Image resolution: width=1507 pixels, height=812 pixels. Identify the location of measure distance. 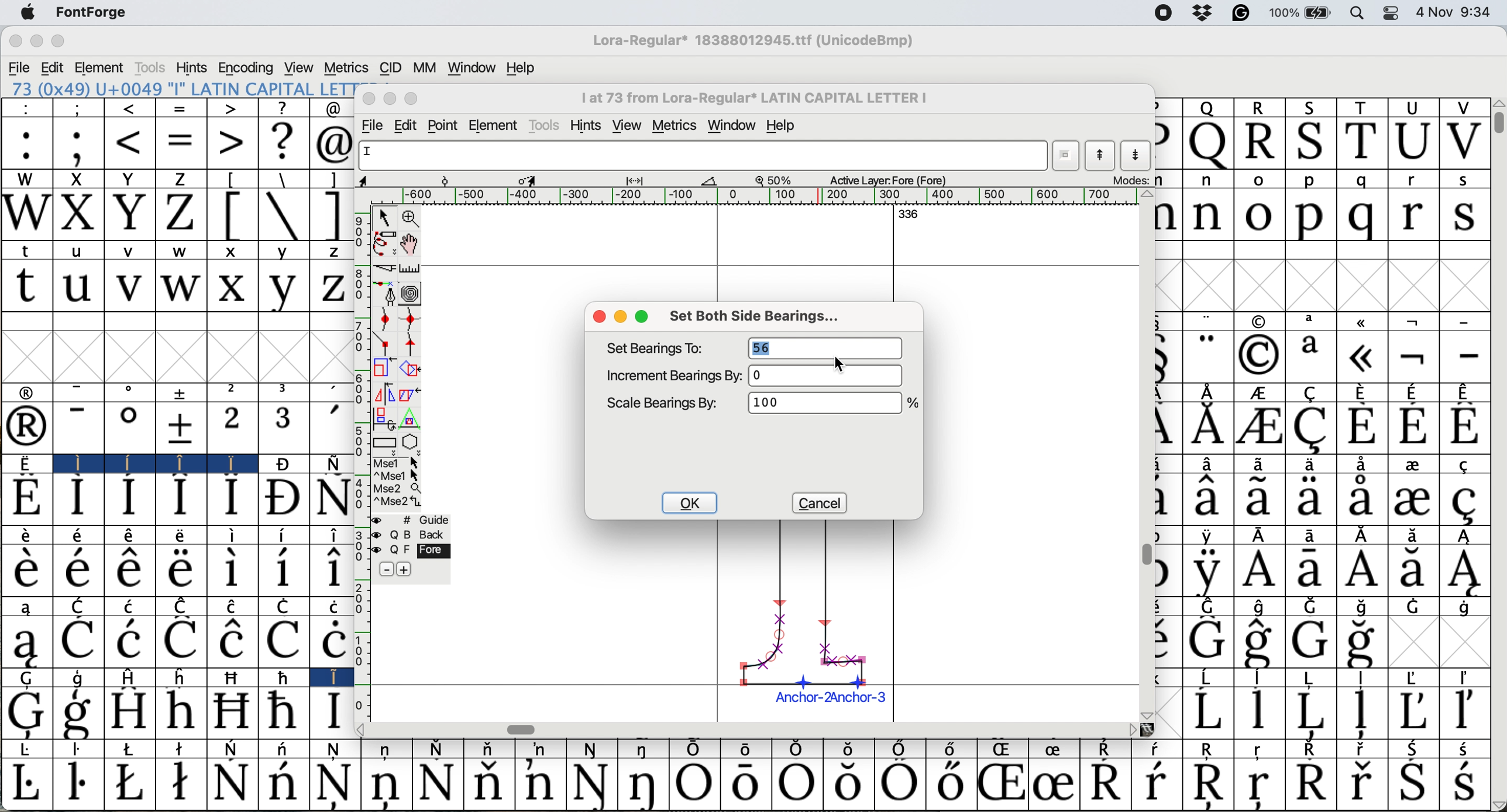
(411, 267).